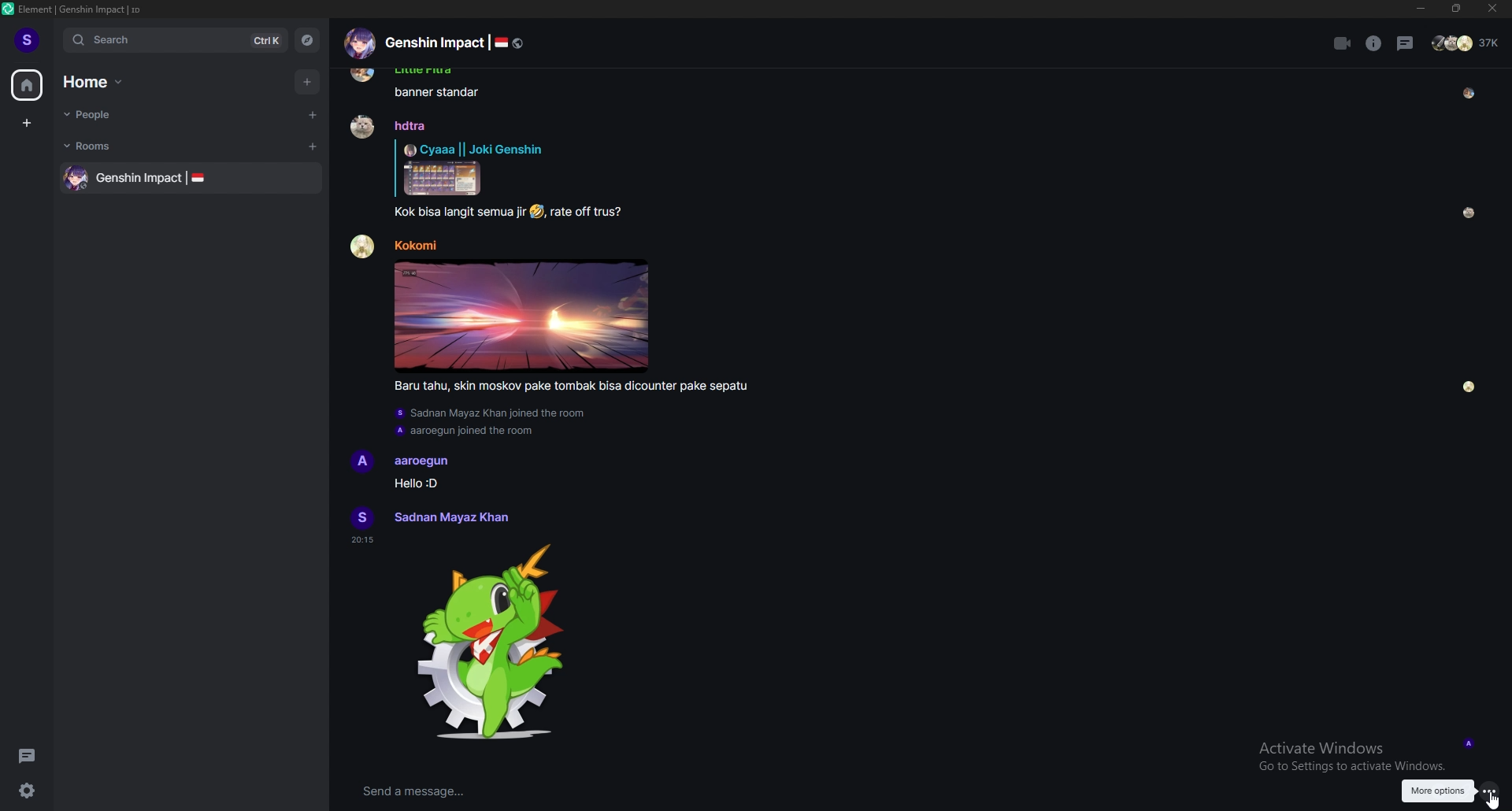 This screenshot has height=811, width=1512. What do you see at coordinates (1438, 792) in the screenshot?
I see `More options` at bounding box center [1438, 792].